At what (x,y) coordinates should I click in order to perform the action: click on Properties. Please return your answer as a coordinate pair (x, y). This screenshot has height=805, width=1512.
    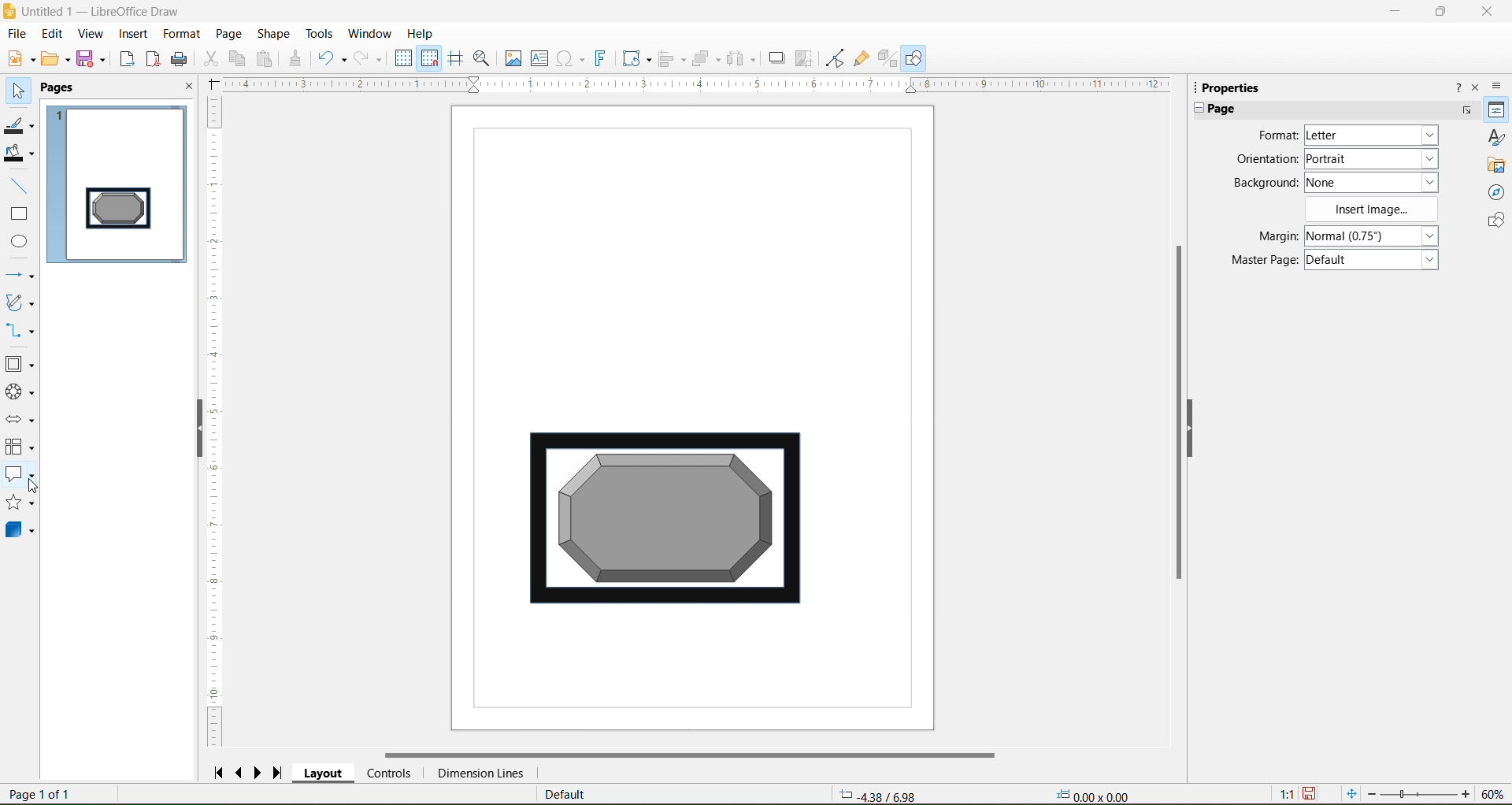
    Looking at the image, I should click on (1495, 110).